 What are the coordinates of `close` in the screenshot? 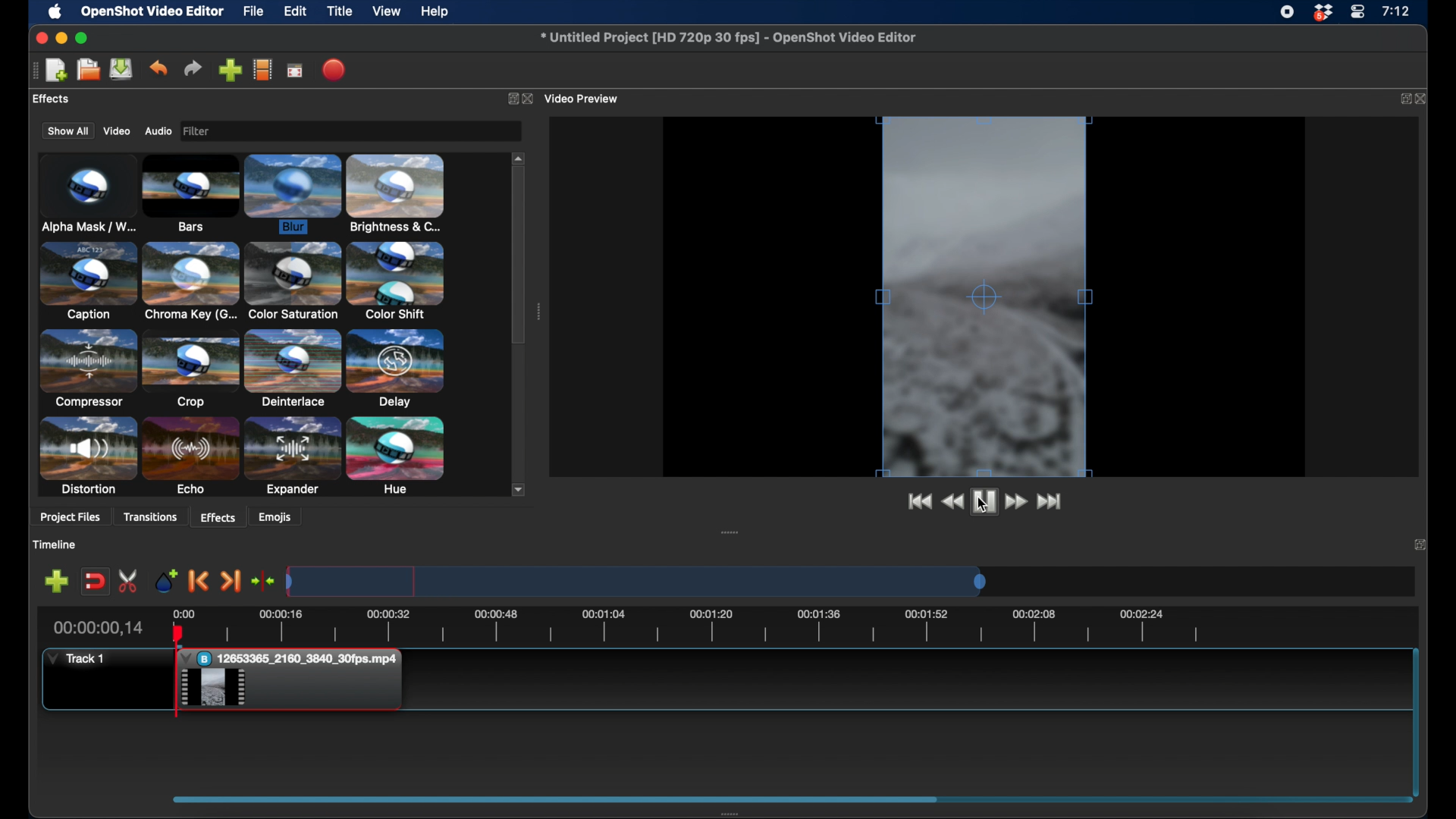 It's located at (40, 38).